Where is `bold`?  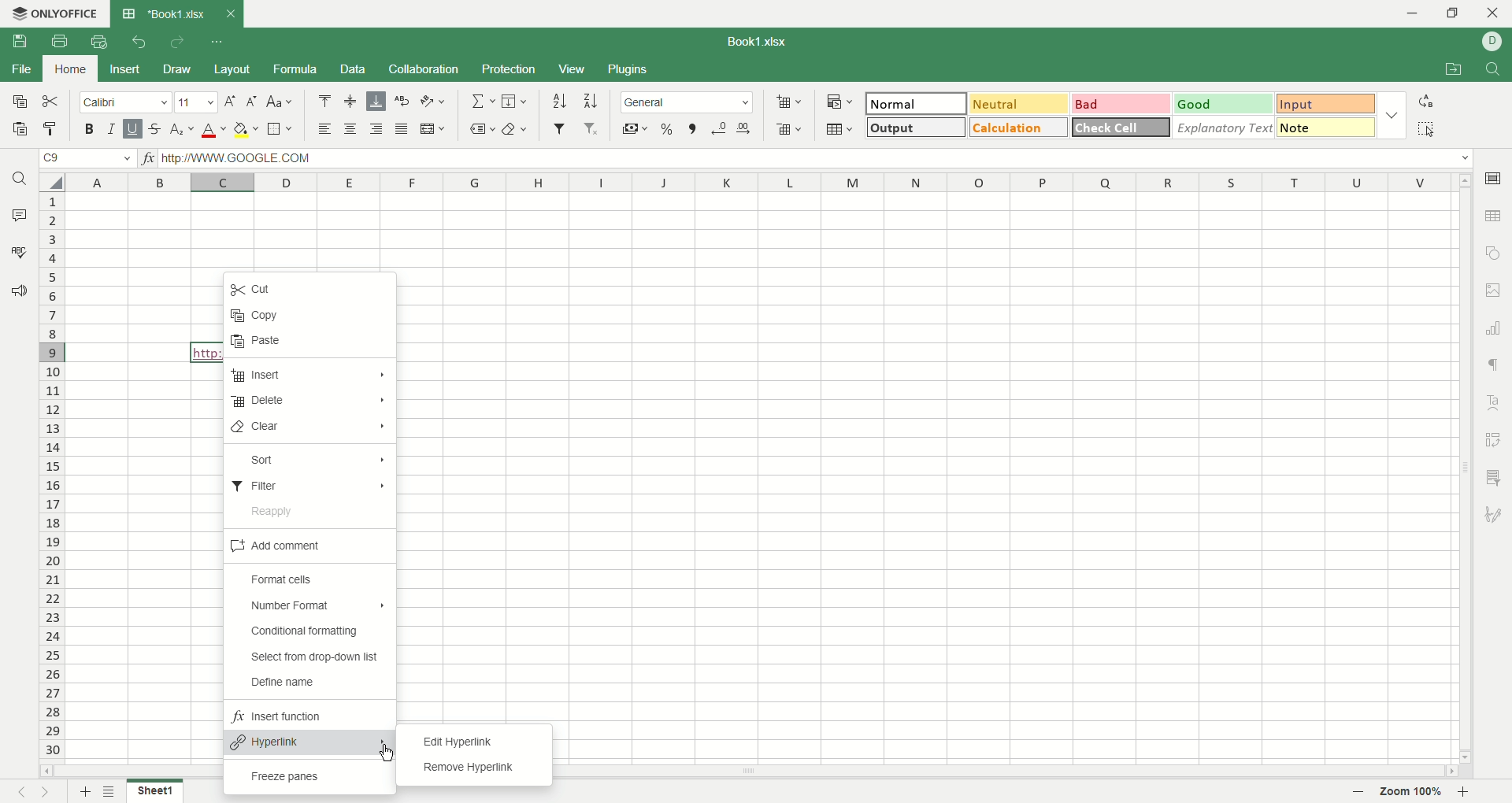 bold is located at coordinates (93, 129).